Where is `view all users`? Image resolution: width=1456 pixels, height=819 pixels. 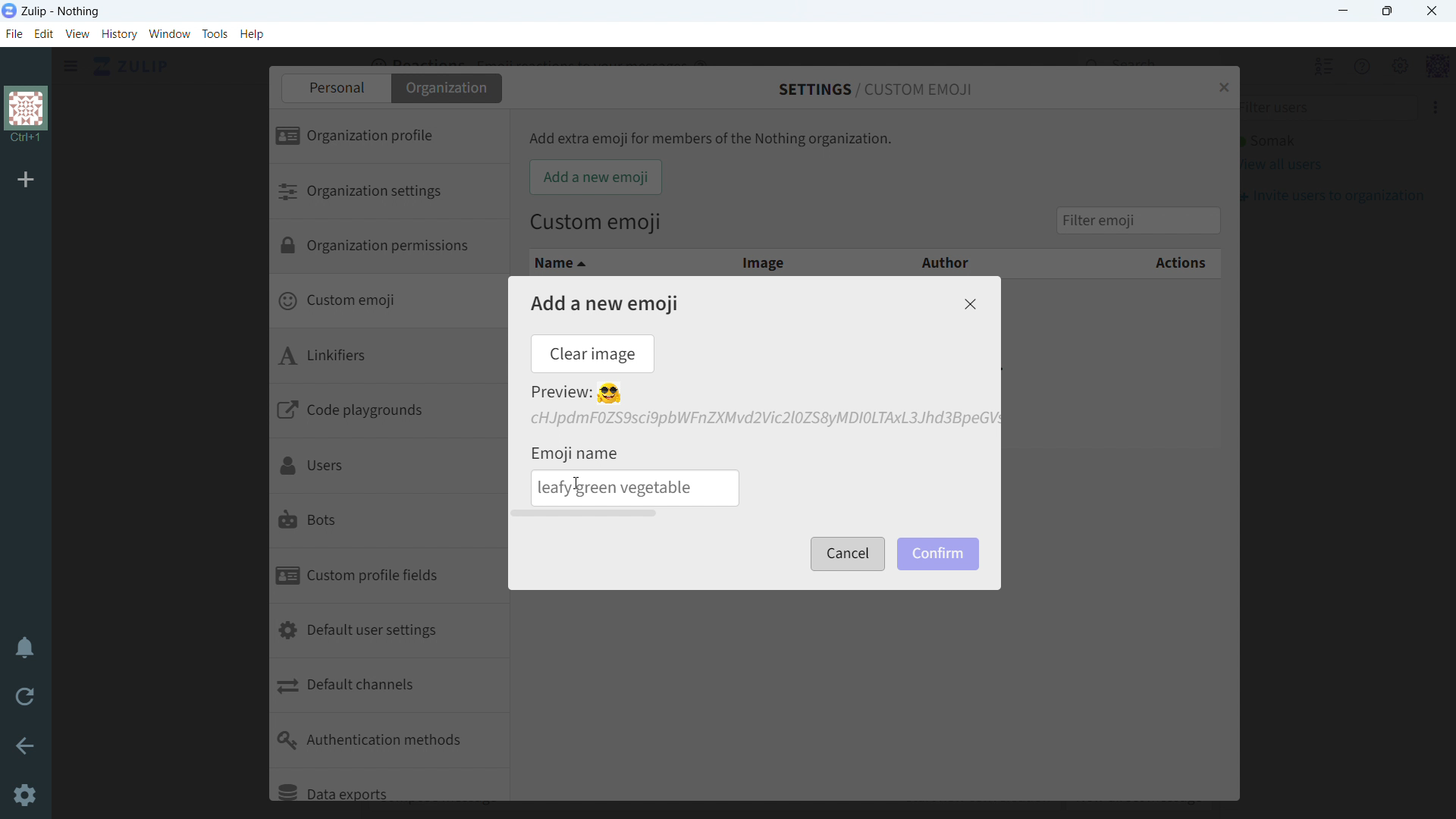
view all users is located at coordinates (1281, 165).